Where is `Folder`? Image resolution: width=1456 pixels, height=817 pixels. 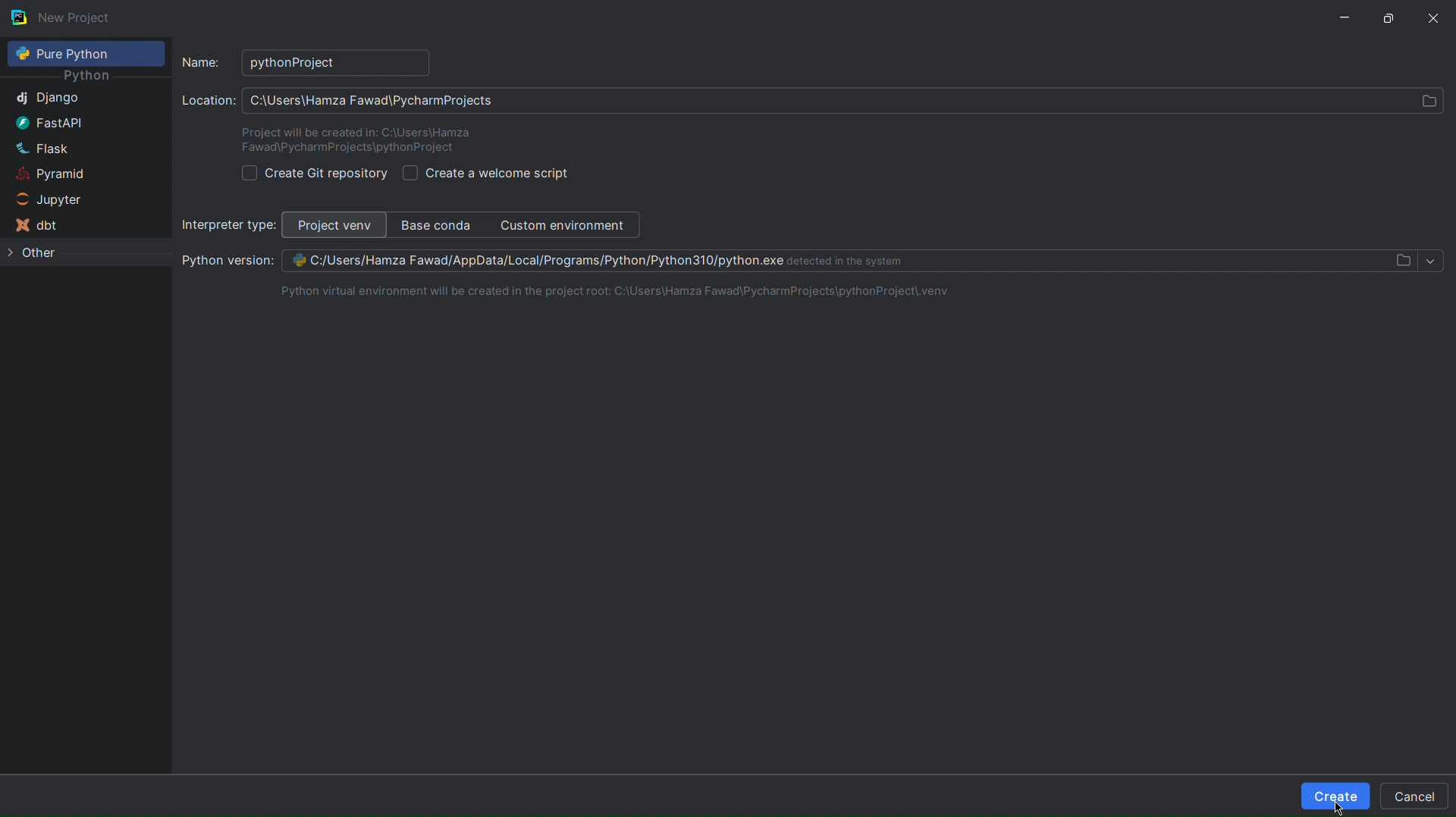
Folder is located at coordinates (1424, 101).